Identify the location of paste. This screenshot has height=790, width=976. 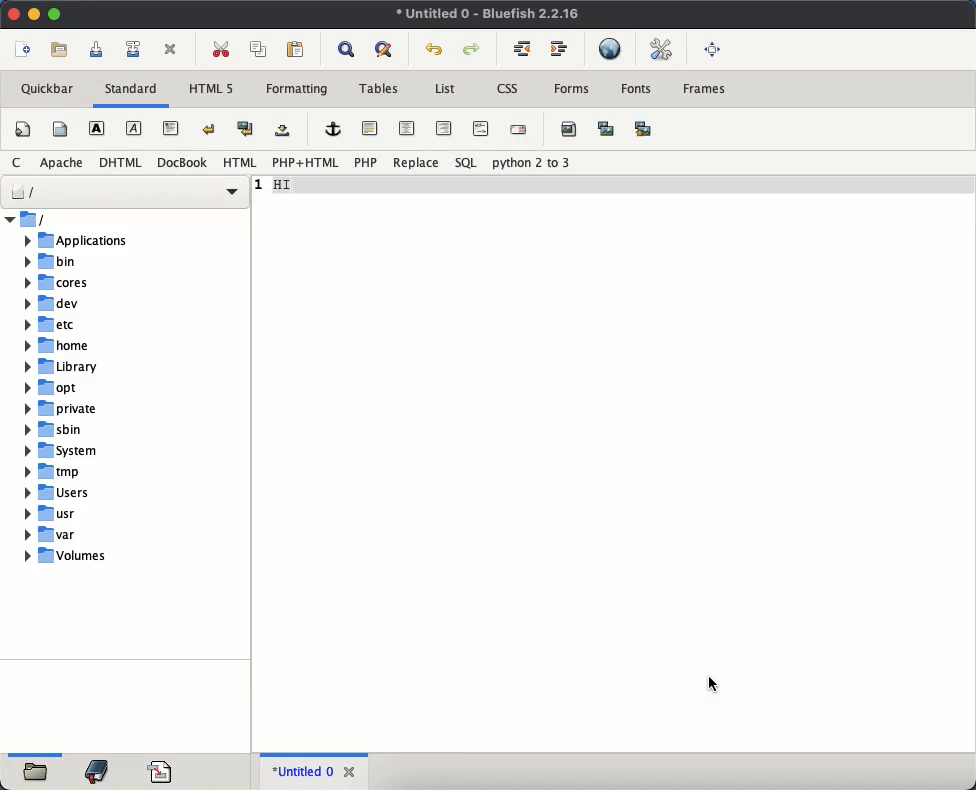
(291, 51).